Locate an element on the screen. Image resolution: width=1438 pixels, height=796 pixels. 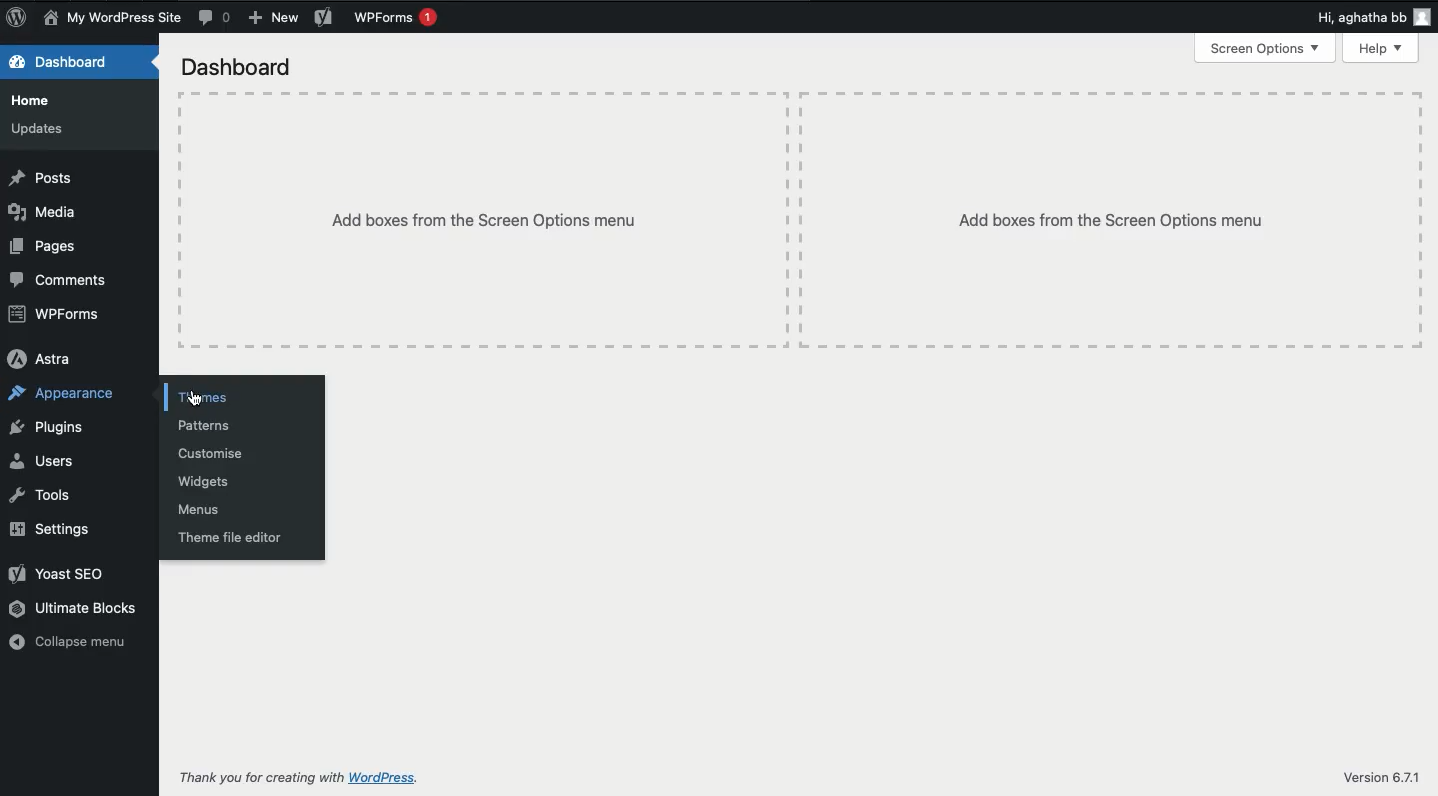
Yoast SEO is located at coordinates (58, 573).